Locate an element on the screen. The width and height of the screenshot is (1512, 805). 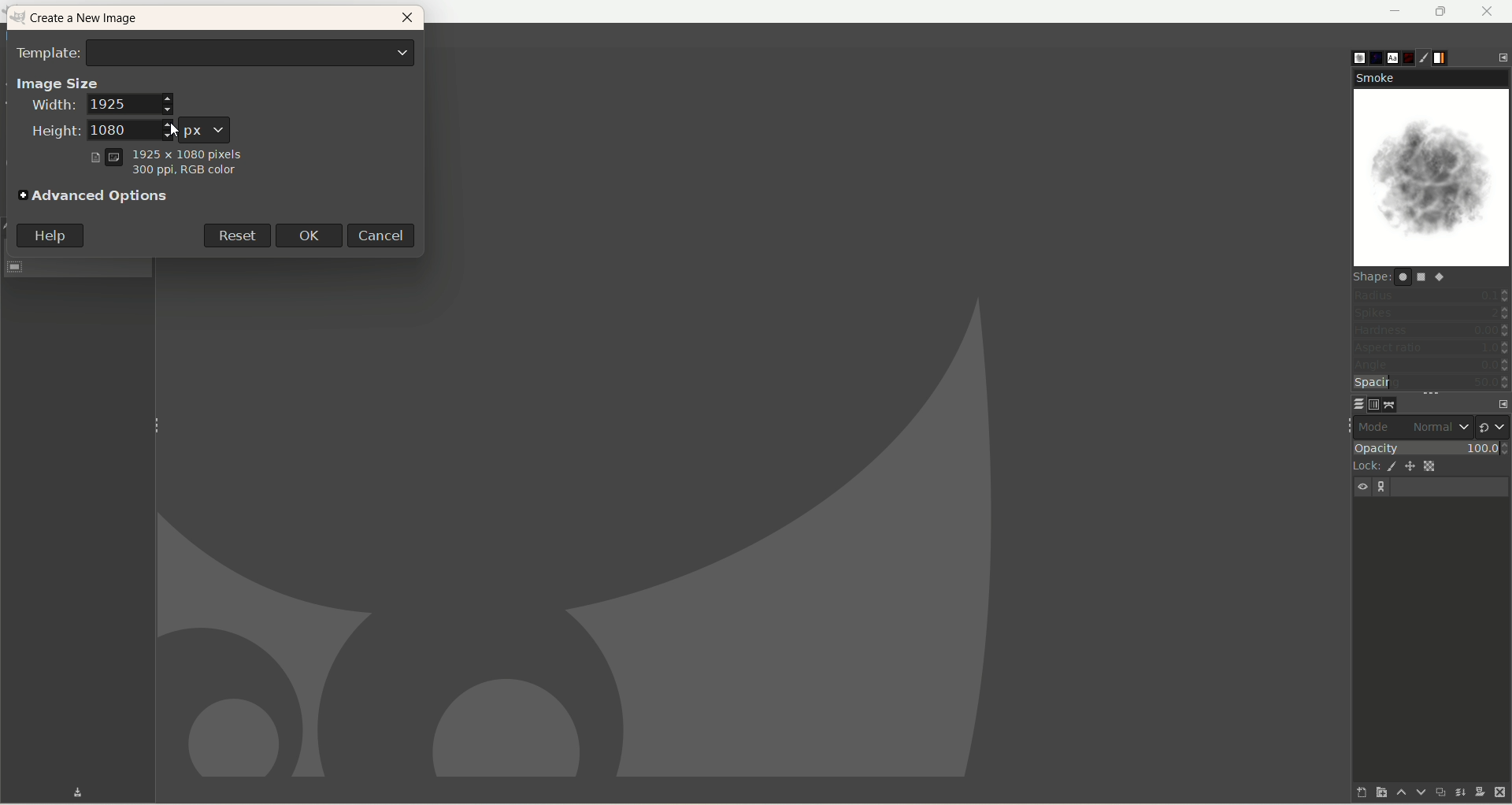
maximize is located at coordinates (1442, 12).